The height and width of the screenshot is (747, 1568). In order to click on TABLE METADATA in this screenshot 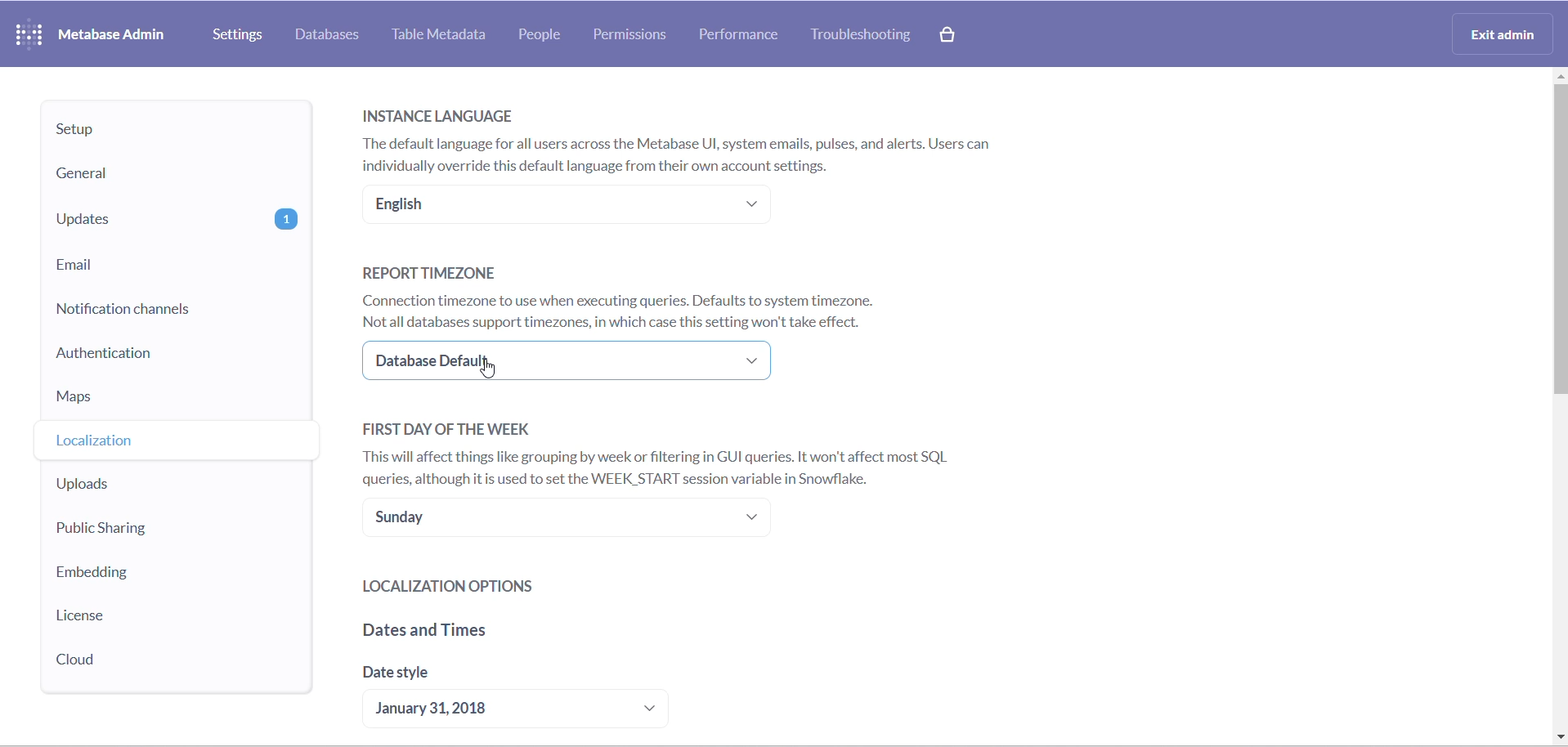, I will do `click(443, 35)`.